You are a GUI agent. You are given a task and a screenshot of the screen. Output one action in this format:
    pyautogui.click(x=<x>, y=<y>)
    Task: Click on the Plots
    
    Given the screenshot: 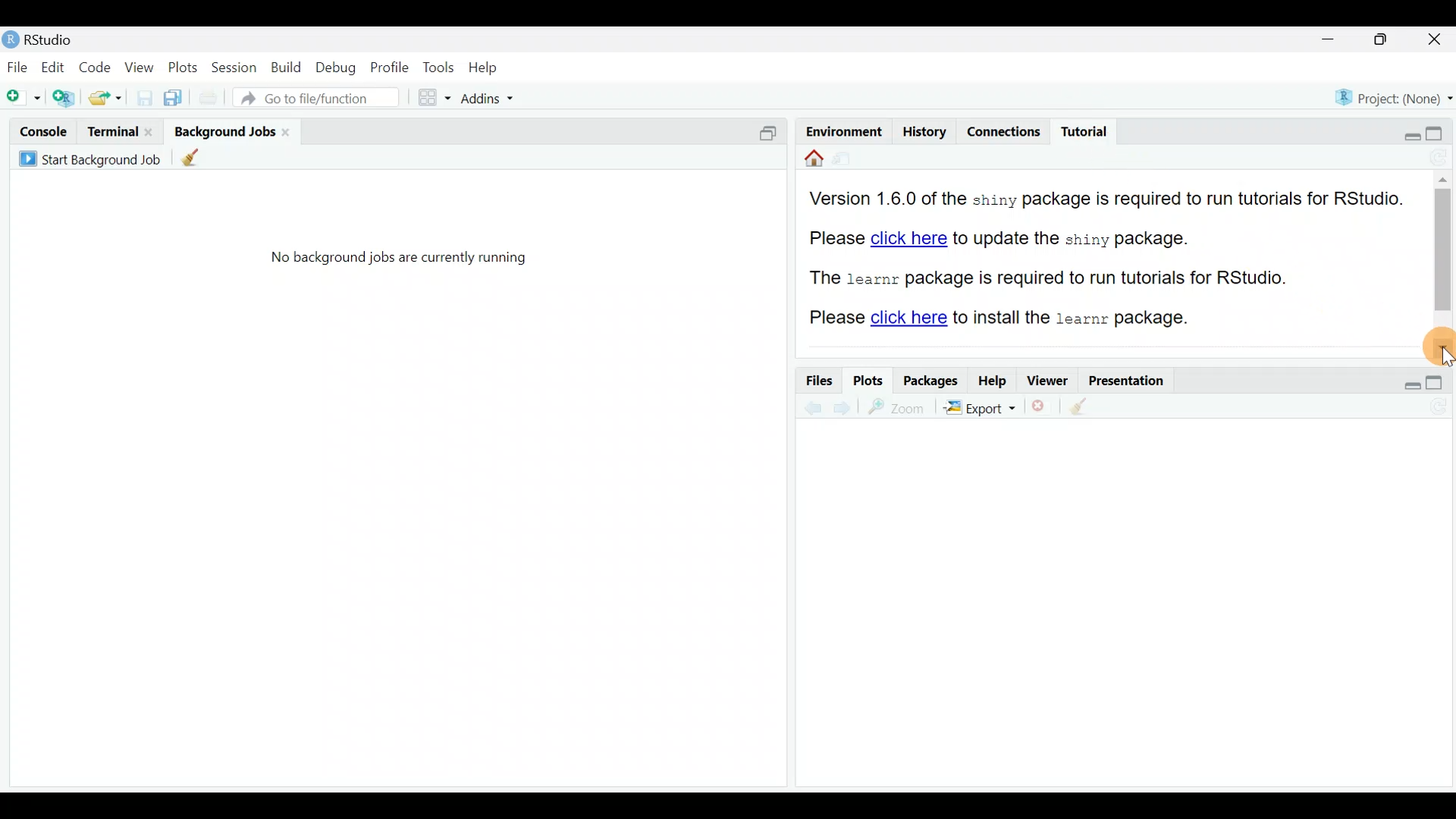 What is the action you would take?
    pyautogui.click(x=868, y=381)
    